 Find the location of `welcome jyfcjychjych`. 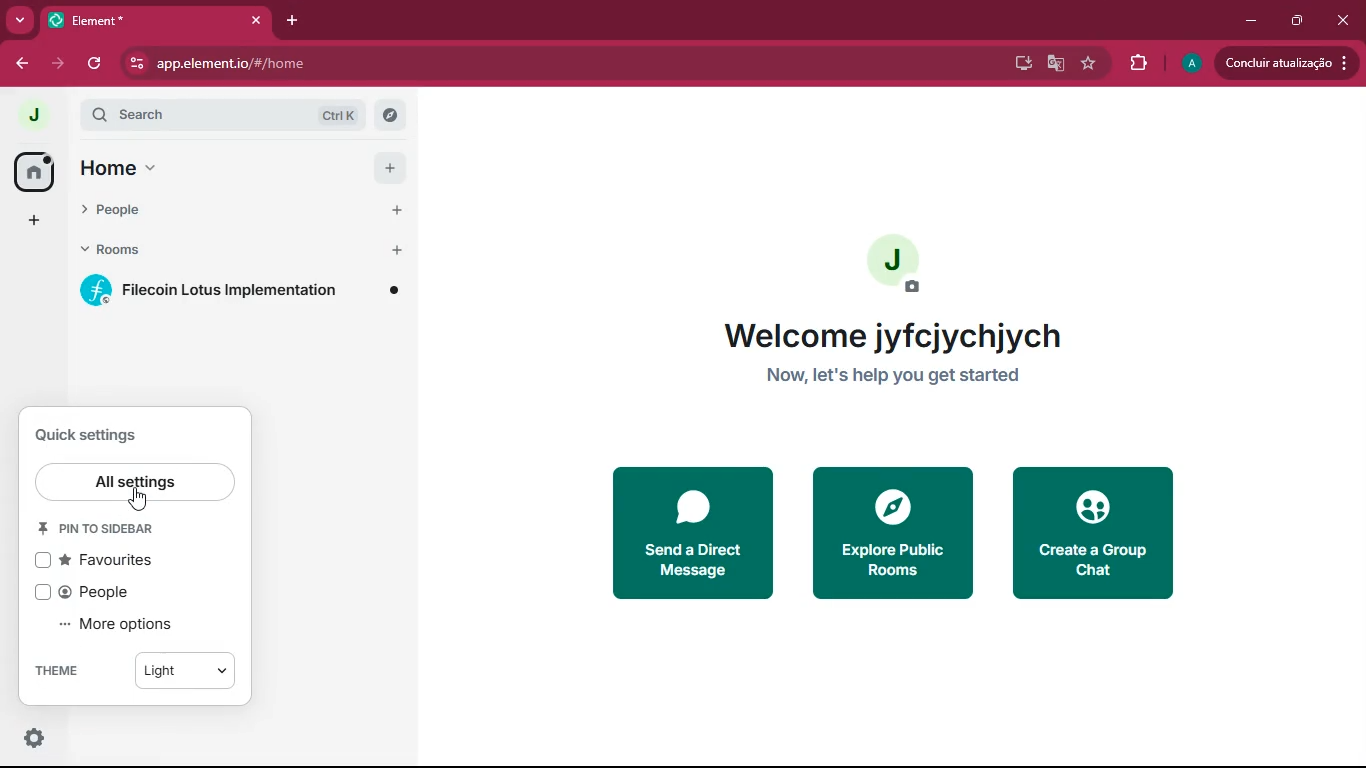

welcome jyfcjychjych is located at coordinates (896, 335).